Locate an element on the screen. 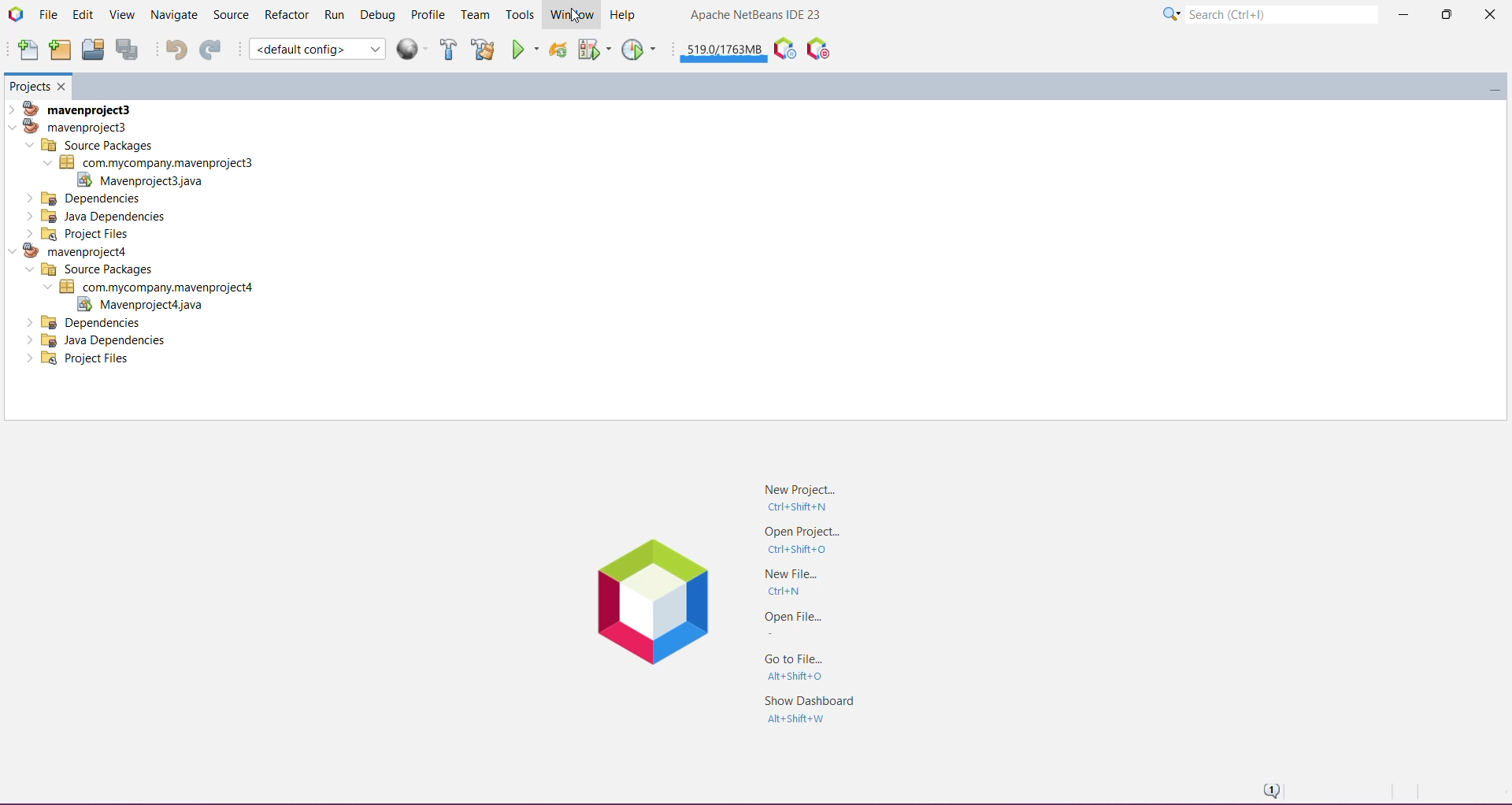 Image resolution: width=1512 pixels, height=805 pixels. mavenproject3 is located at coordinates (74, 126).